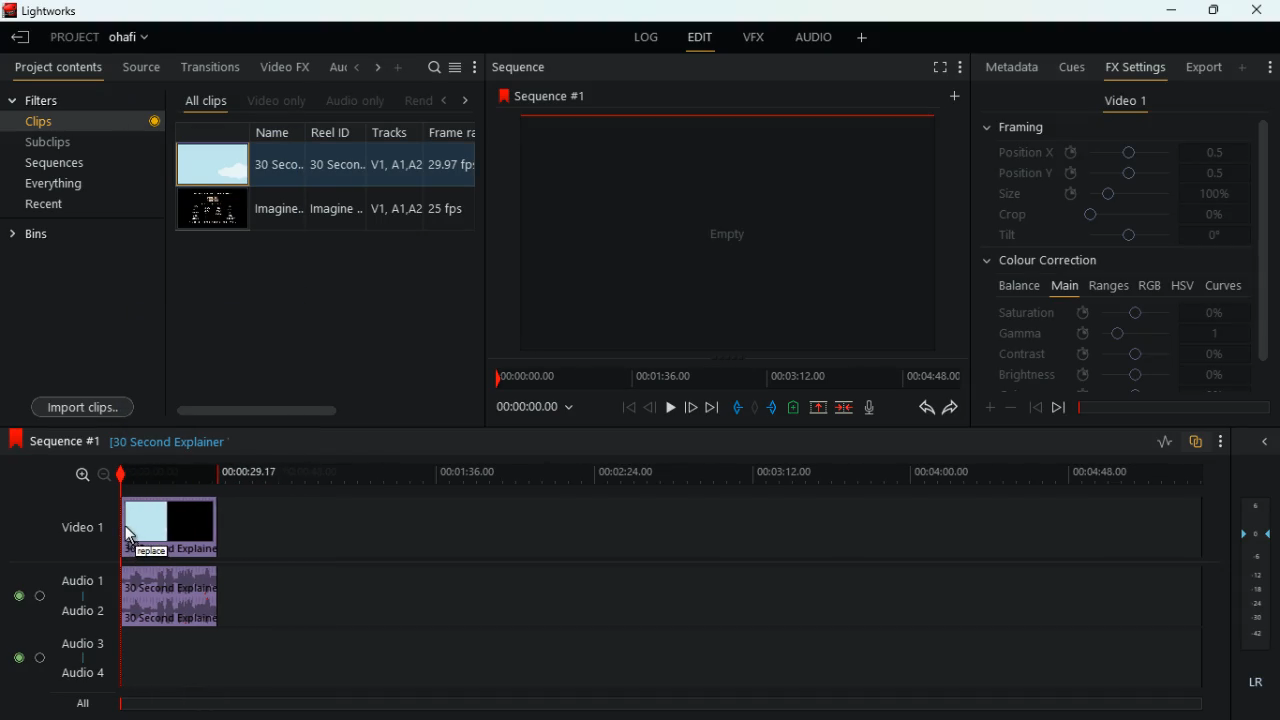 The height and width of the screenshot is (720, 1280). I want to click on Audio, so click(28, 596).